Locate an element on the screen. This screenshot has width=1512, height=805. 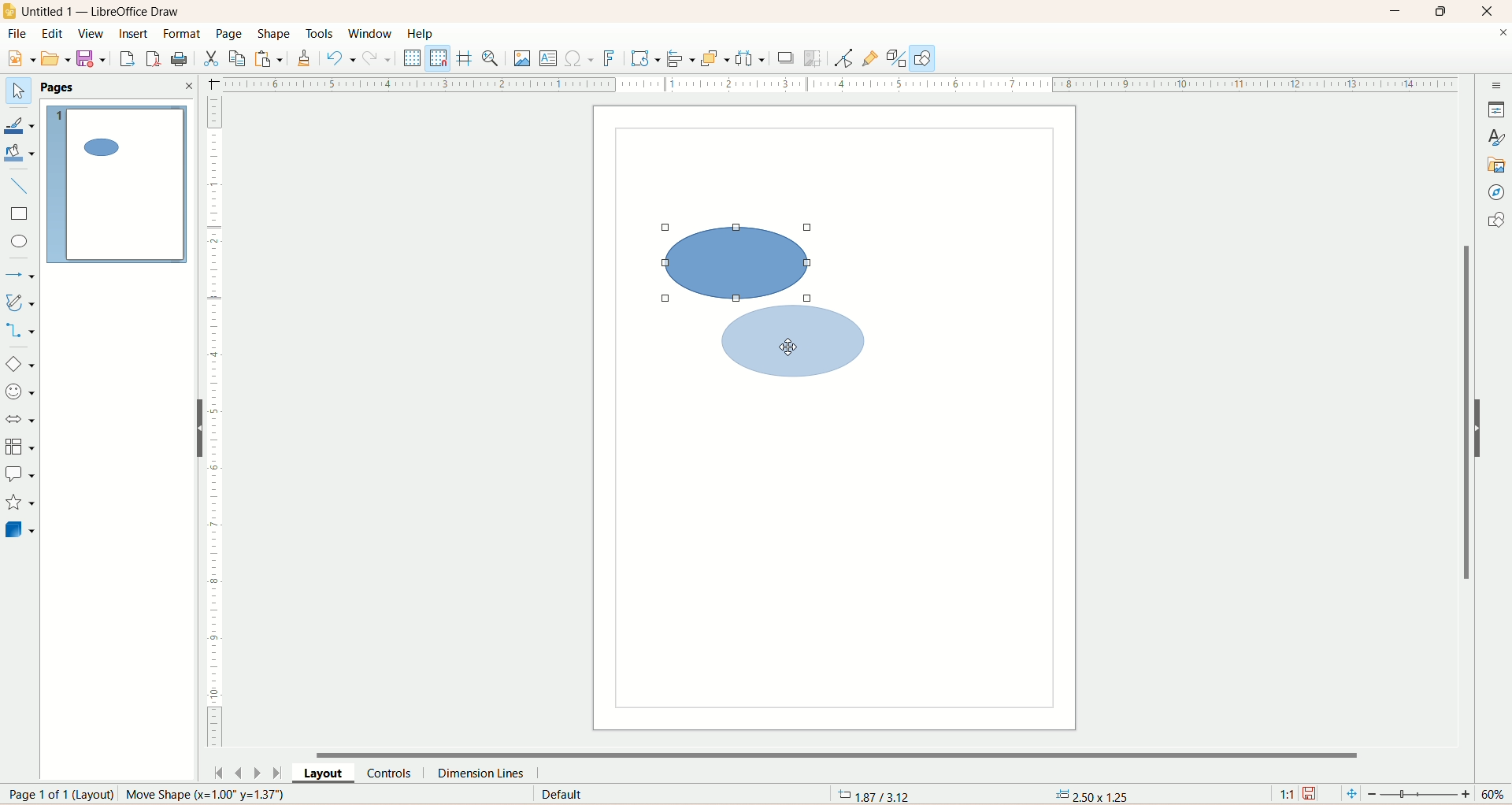
symbol shapes is located at coordinates (19, 393).